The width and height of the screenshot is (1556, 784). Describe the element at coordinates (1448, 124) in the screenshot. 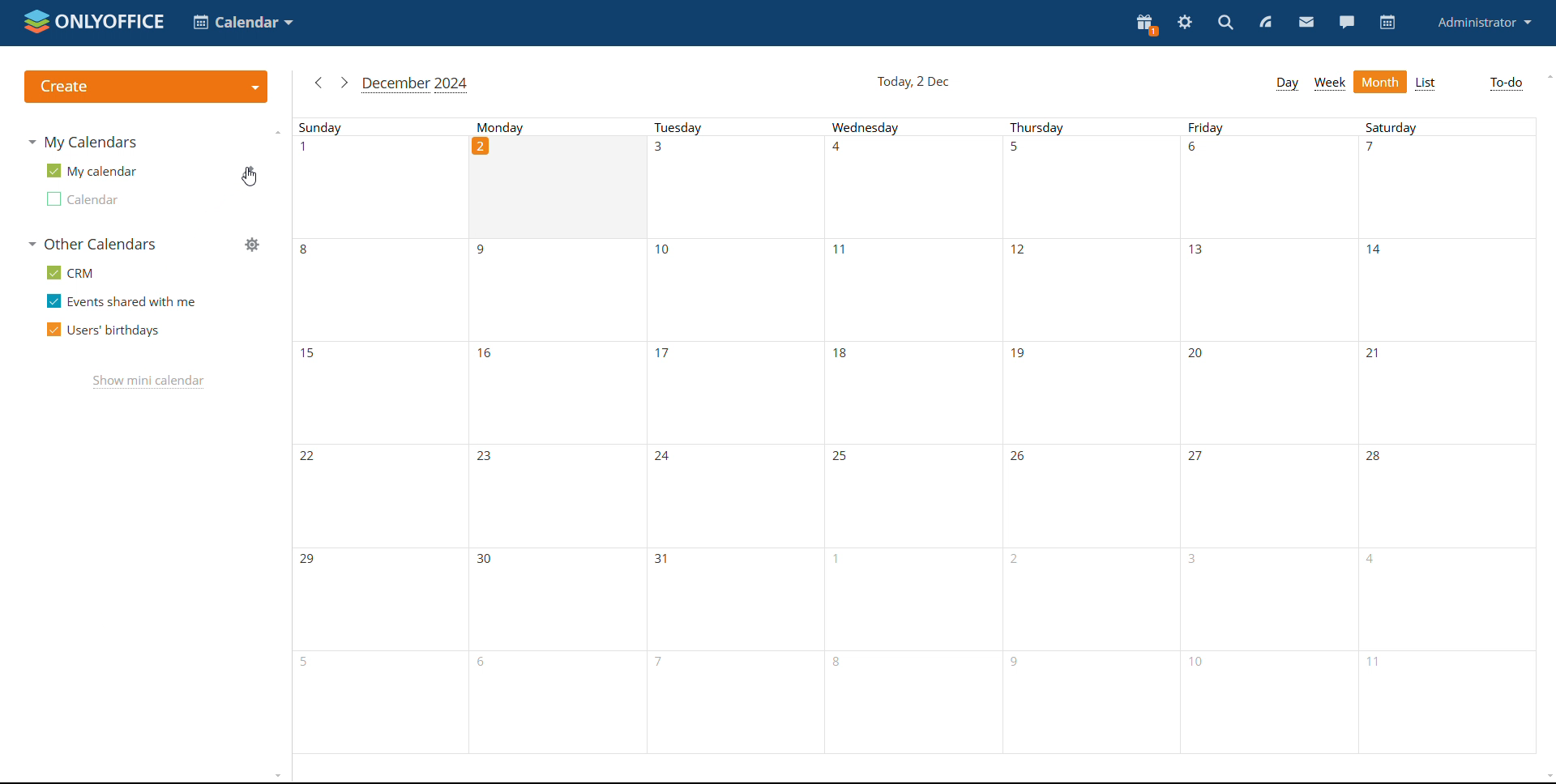

I see `saturday` at that location.